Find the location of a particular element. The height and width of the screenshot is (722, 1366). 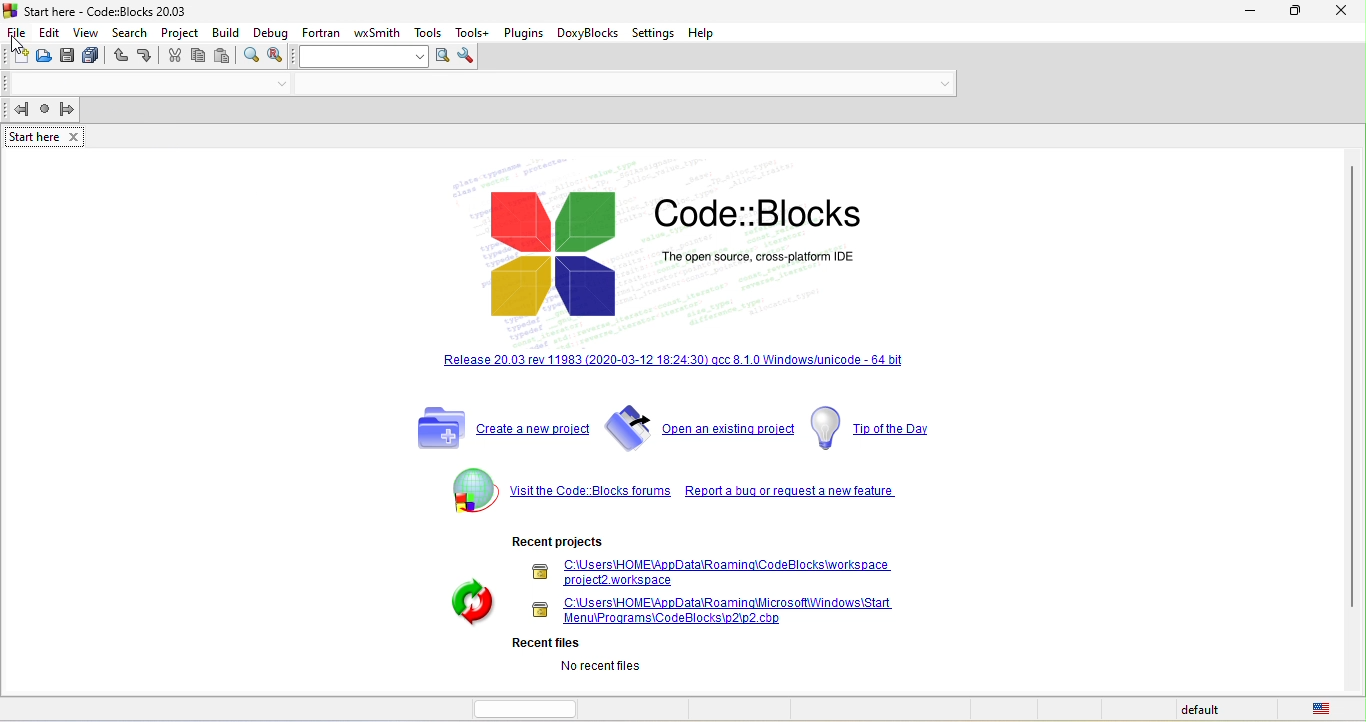

new is located at coordinates (17, 57).